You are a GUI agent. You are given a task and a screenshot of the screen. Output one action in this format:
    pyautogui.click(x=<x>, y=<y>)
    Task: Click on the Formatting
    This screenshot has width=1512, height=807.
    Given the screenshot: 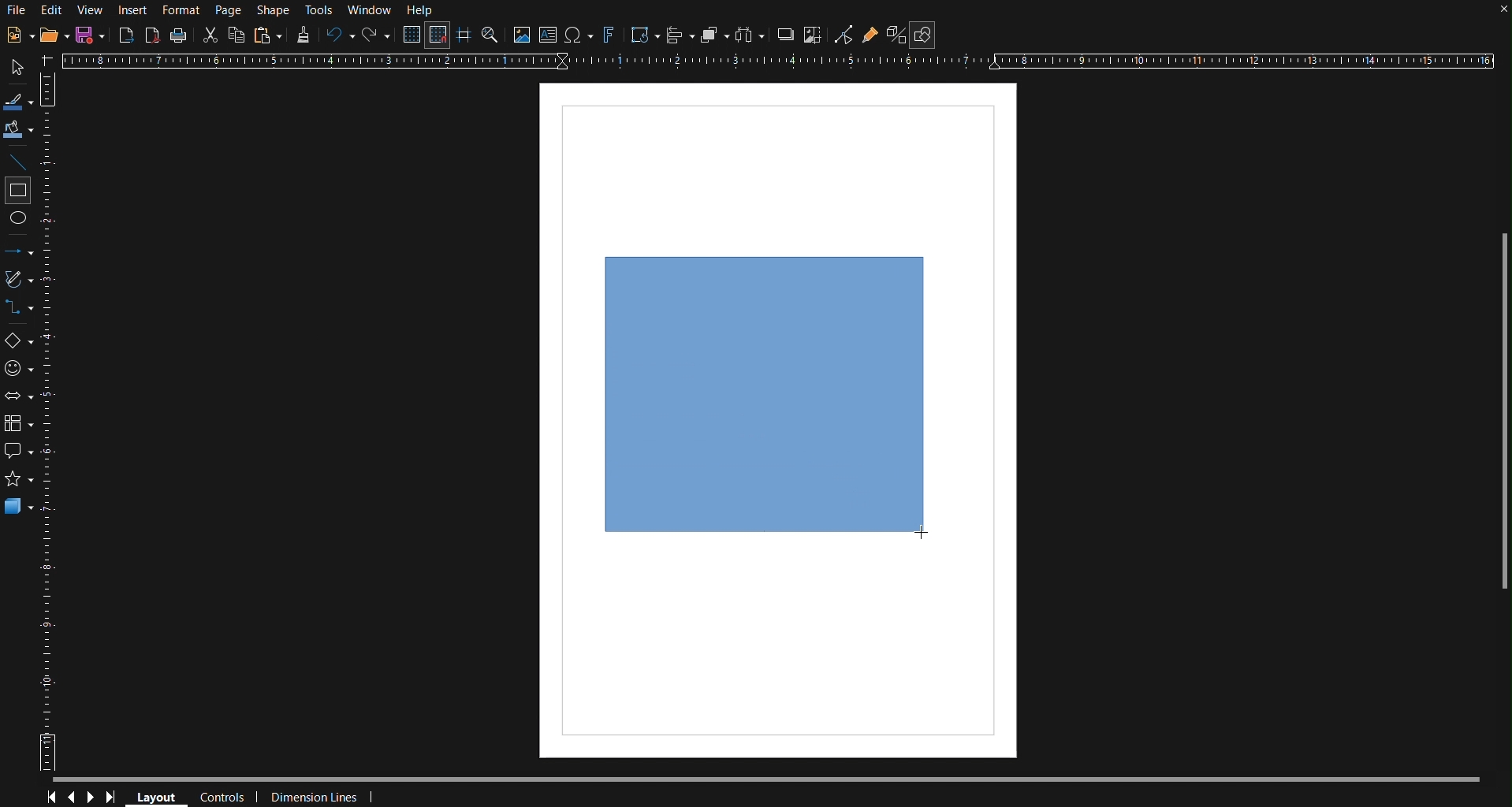 What is the action you would take?
    pyautogui.click(x=302, y=35)
    